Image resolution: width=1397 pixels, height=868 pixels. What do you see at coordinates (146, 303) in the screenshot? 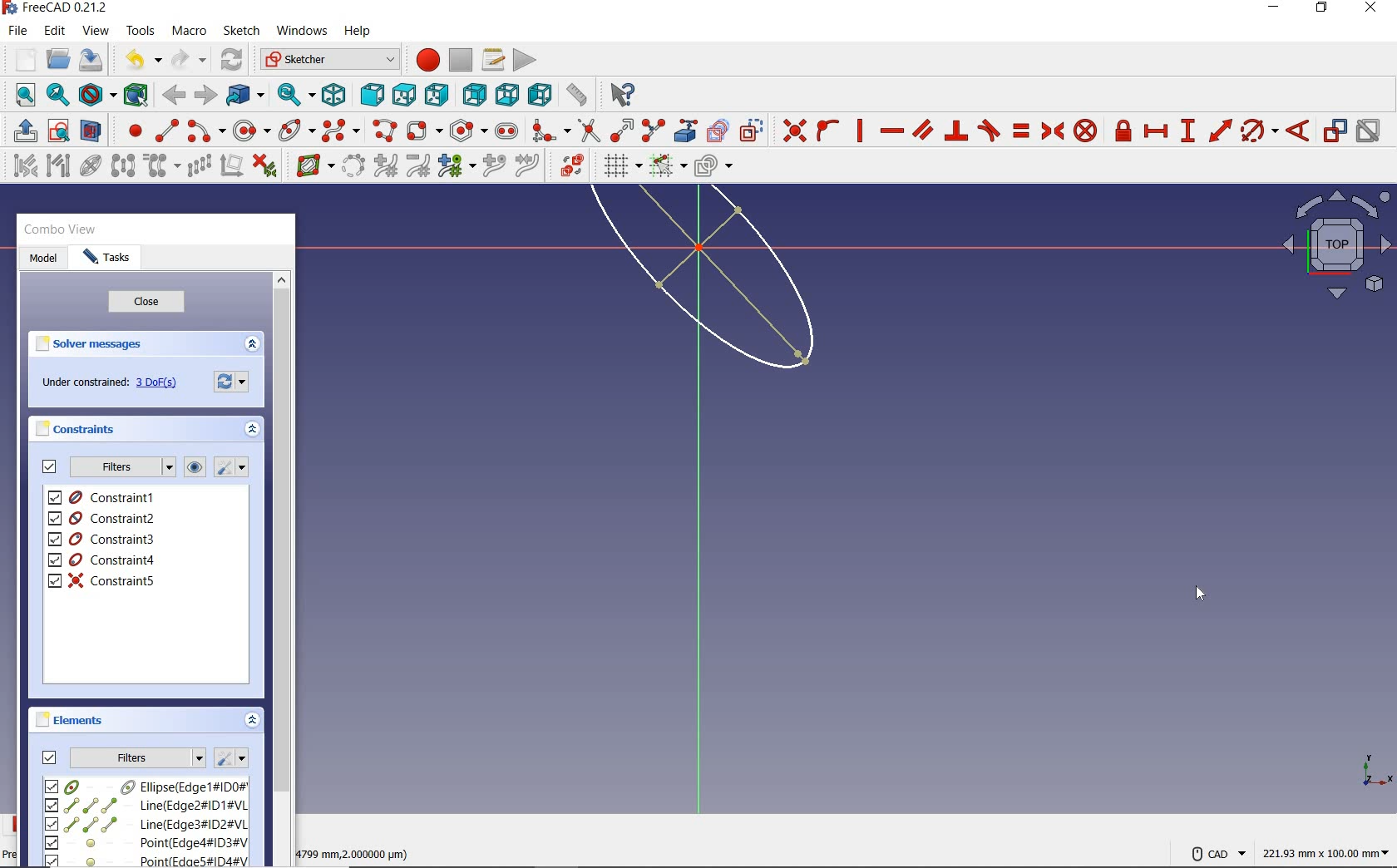
I see `close` at bounding box center [146, 303].